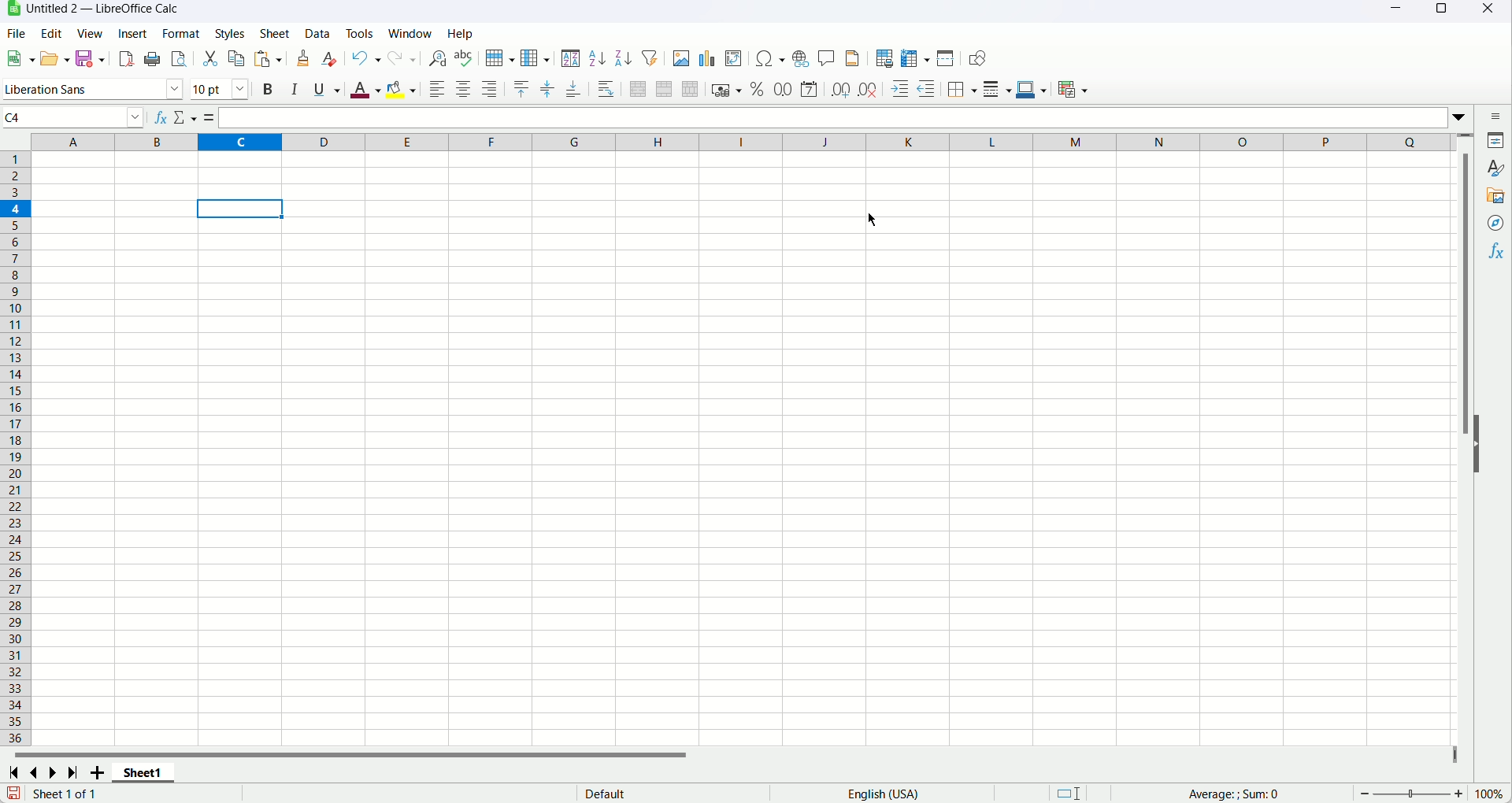 This screenshot has width=1512, height=803. What do you see at coordinates (75, 117) in the screenshot?
I see `Name box` at bounding box center [75, 117].